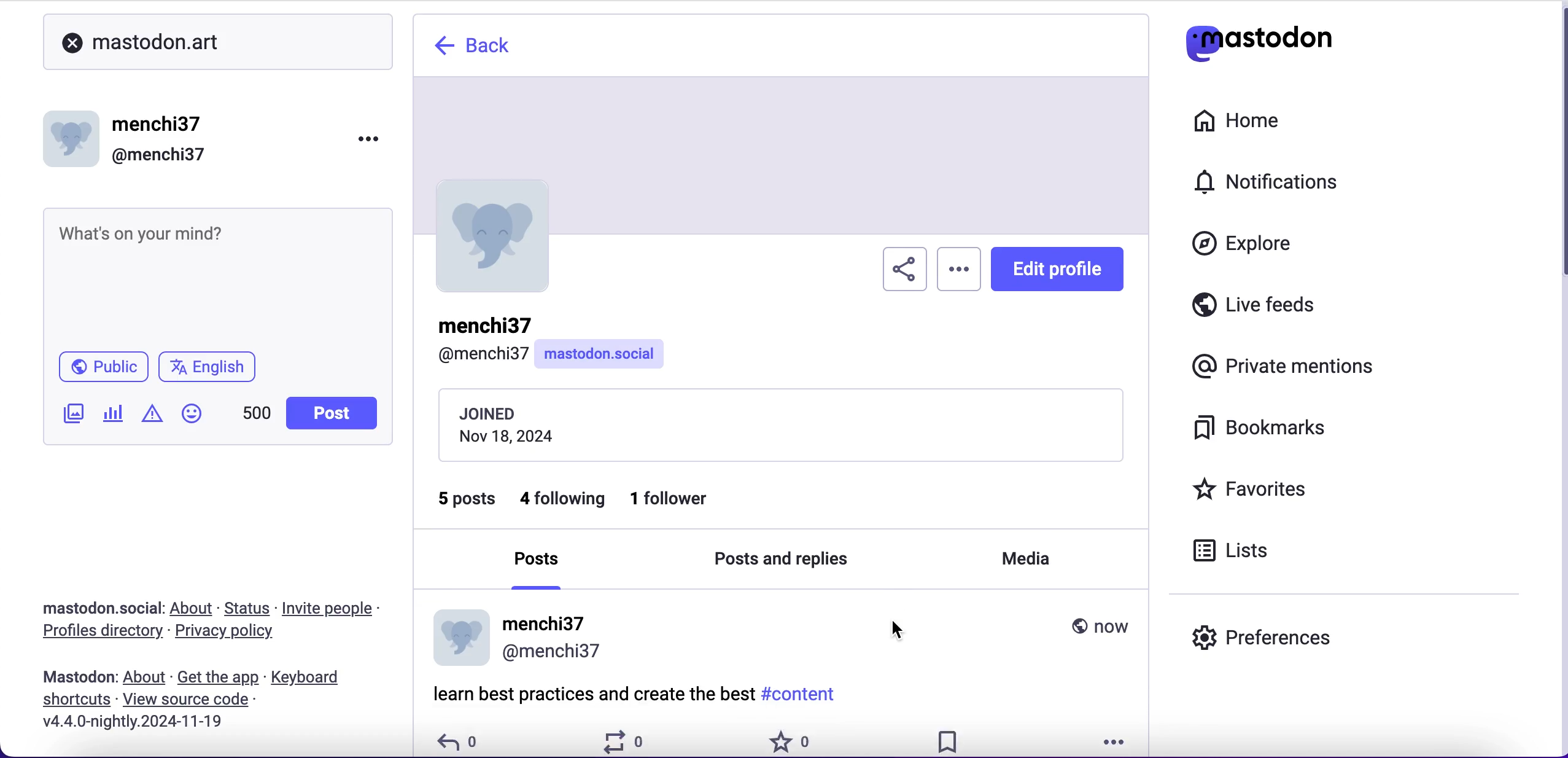 Image resolution: width=1568 pixels, height=758 pixels. What do you see at coordinates (477, 340) in the screenshot?
I see `user` at bounding box center [477, 340].